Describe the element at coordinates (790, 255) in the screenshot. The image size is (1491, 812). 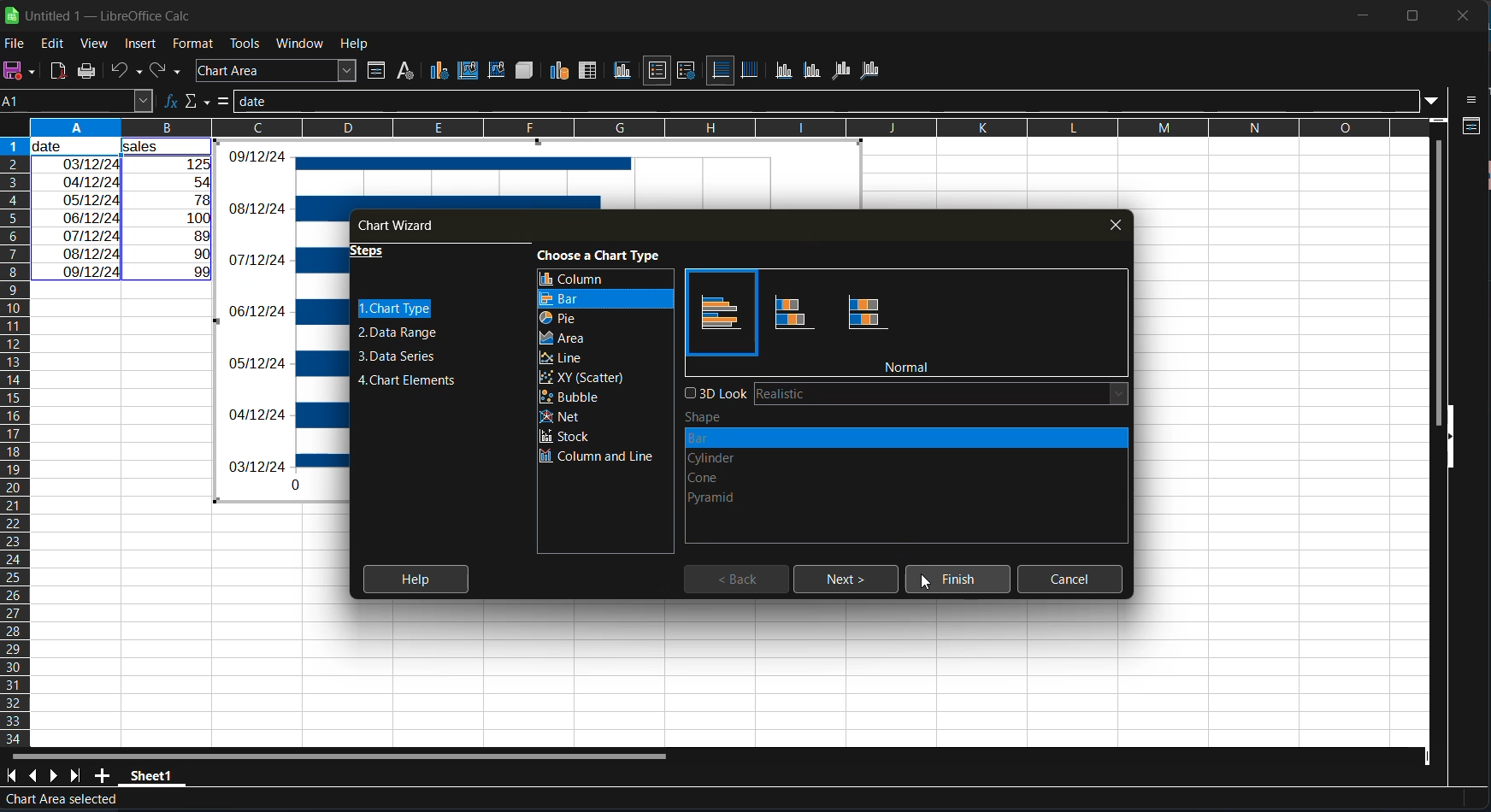
I see `bold` at that location.